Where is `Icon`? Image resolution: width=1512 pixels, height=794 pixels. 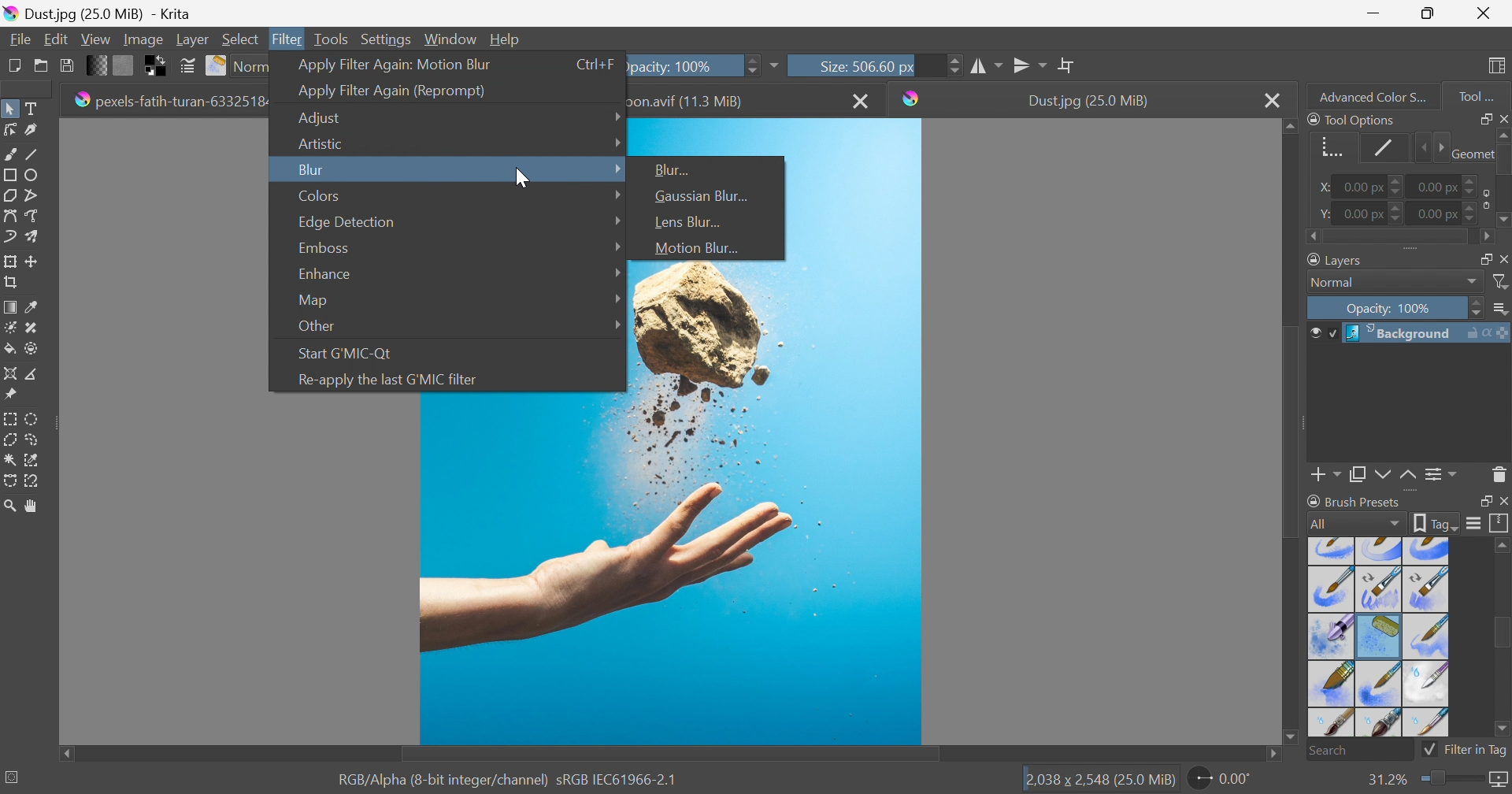 Icon is located at coordinates (1483, 198).